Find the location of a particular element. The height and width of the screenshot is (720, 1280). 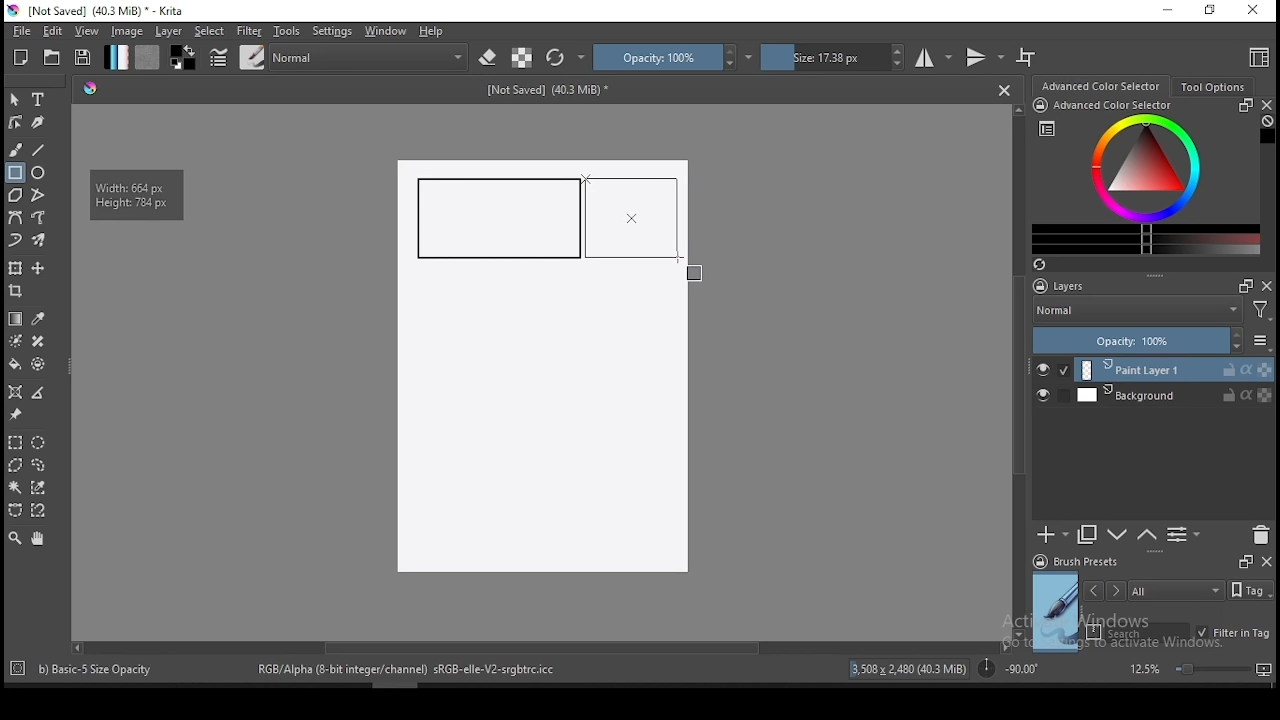

assistant tool is located at coordinates (15, 392).